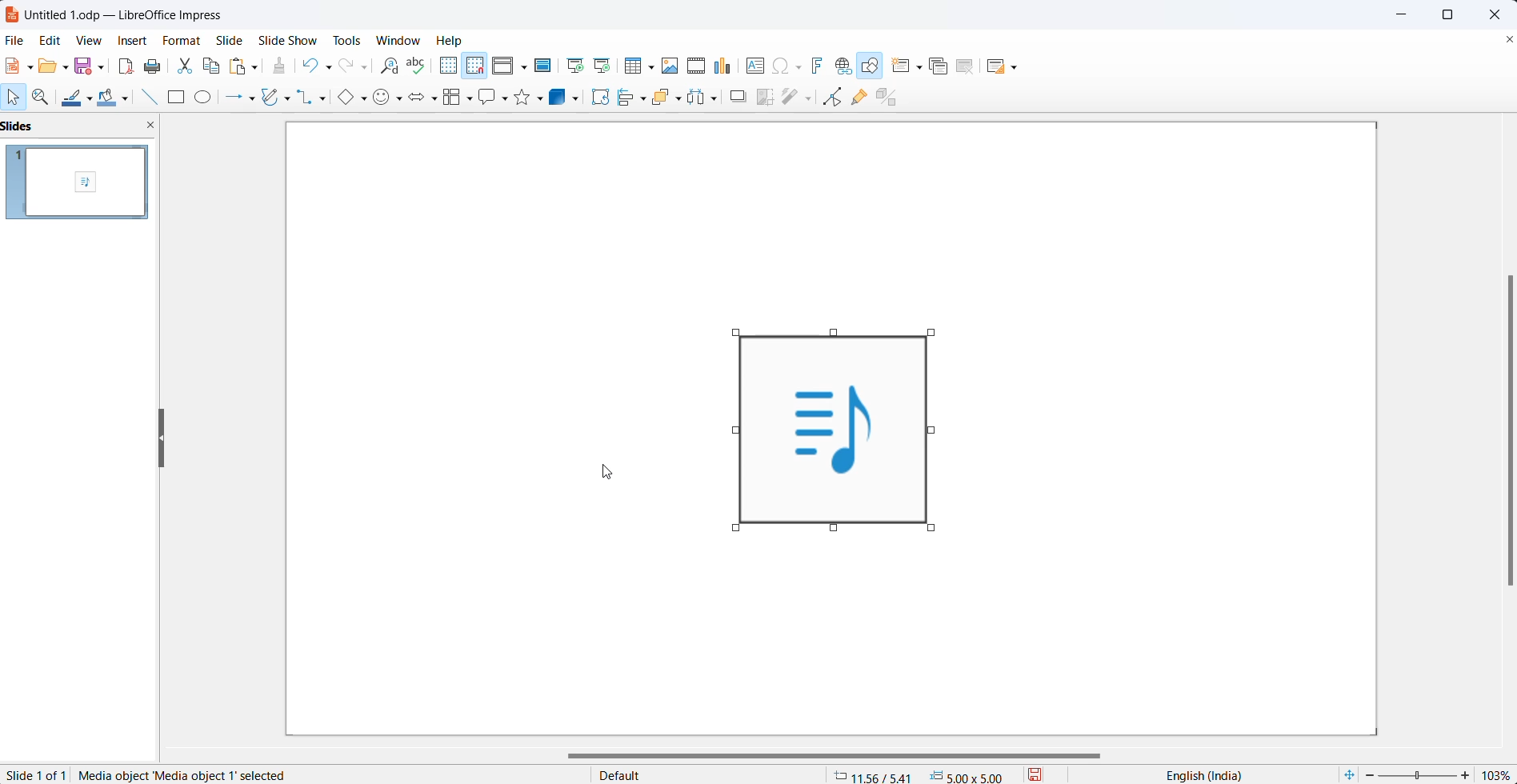 This screenshot has height=784, width=1517. What do you see at coordinates (943, 65) in the screenshot?
I see `duplicate slide` at bounding box center [943, 65].